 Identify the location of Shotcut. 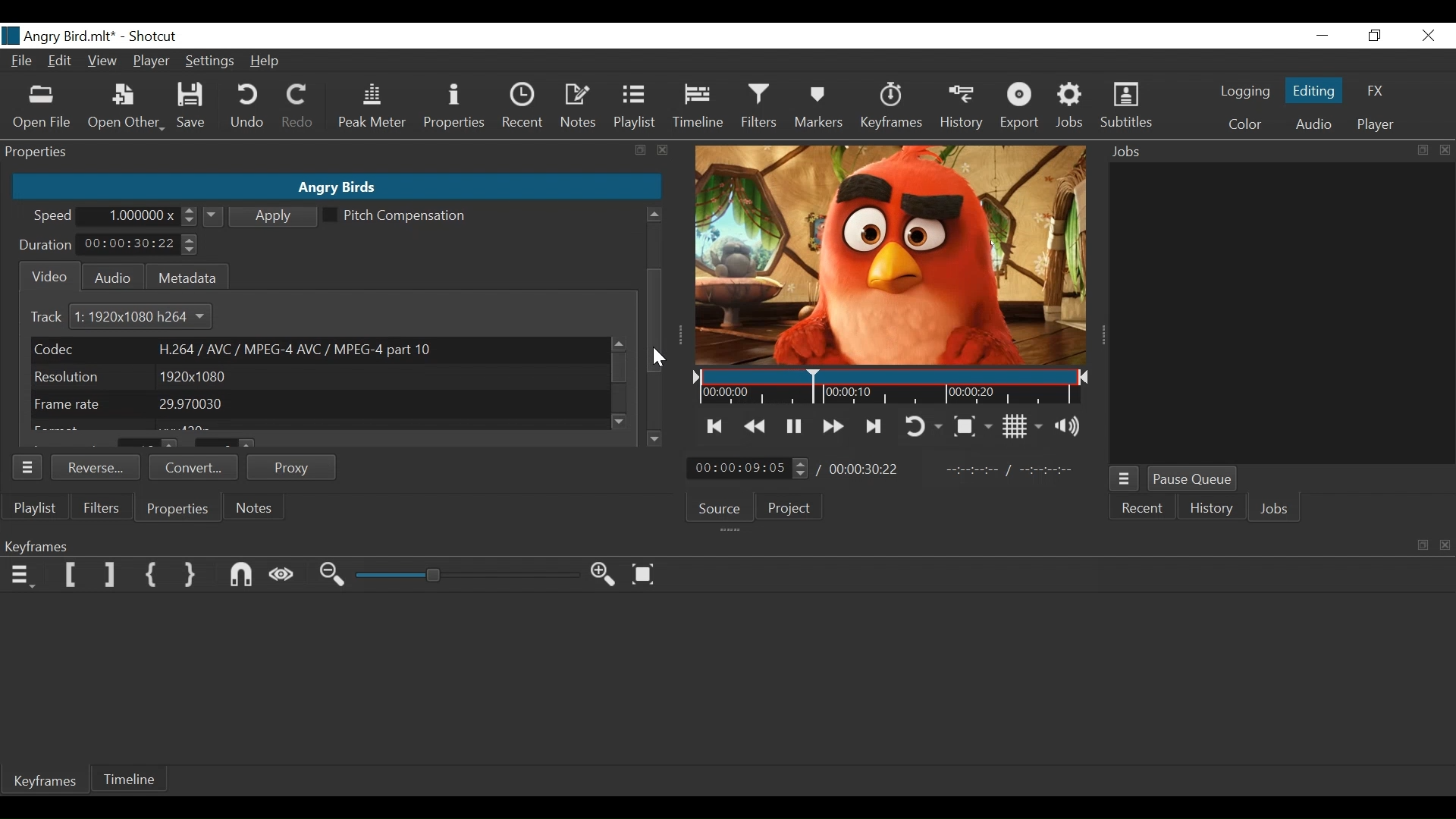
(156, 37).